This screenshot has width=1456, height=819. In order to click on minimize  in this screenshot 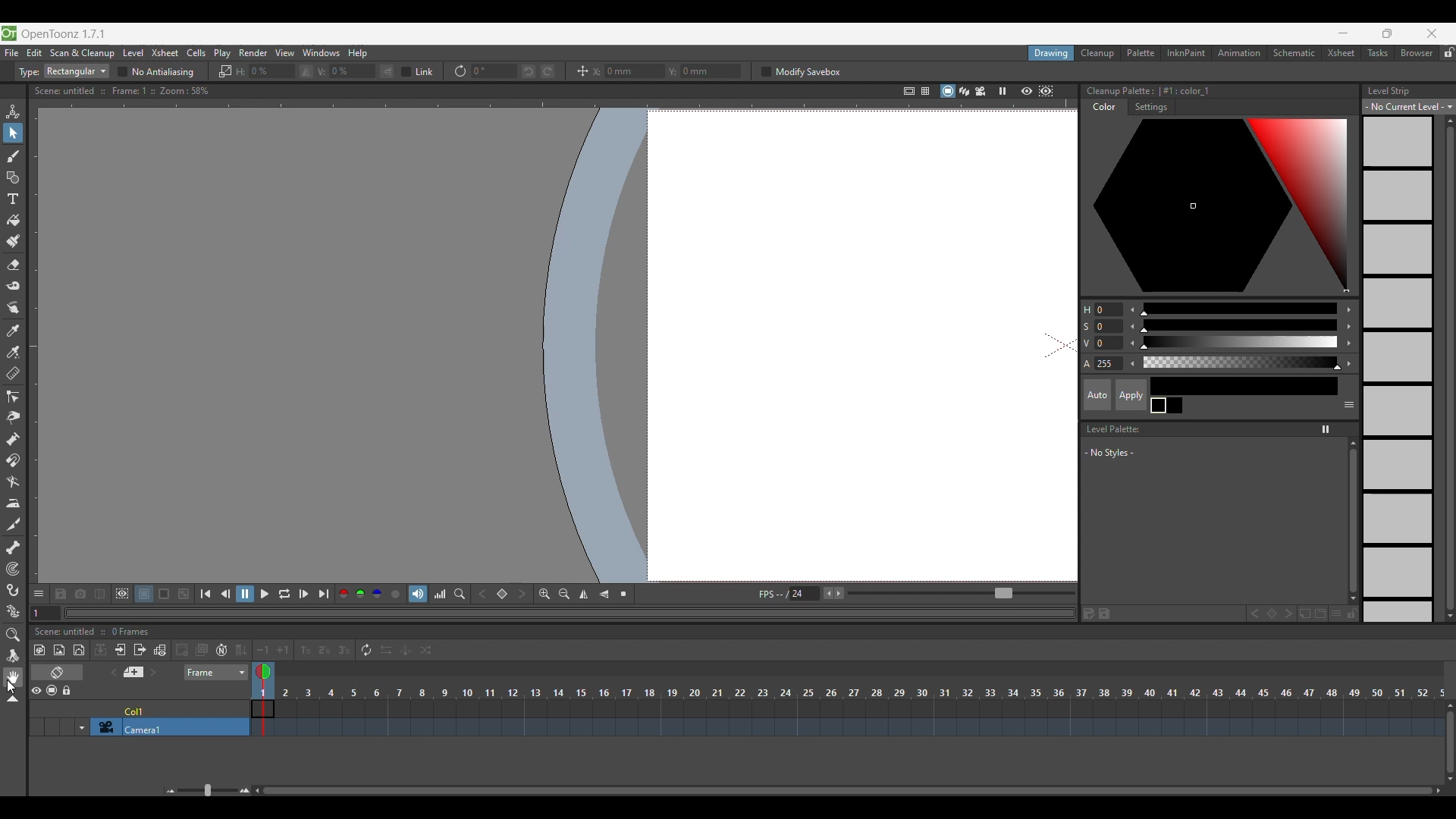, I will do `click(1343, 33)`.